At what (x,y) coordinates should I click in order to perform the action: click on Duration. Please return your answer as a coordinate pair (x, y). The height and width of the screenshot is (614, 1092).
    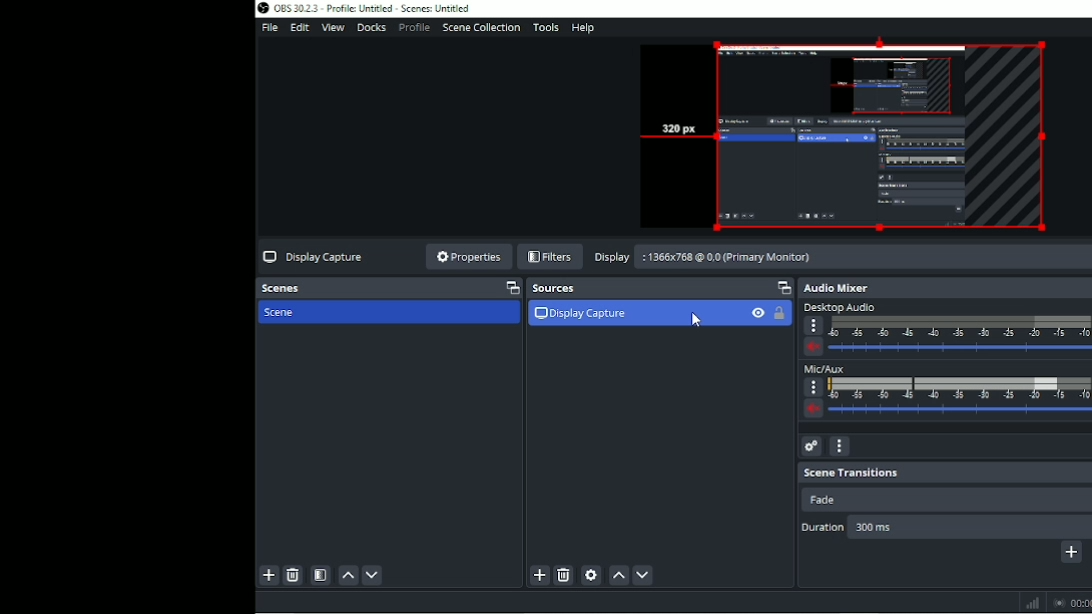
    Looking at the image, I should click on (944, 526).